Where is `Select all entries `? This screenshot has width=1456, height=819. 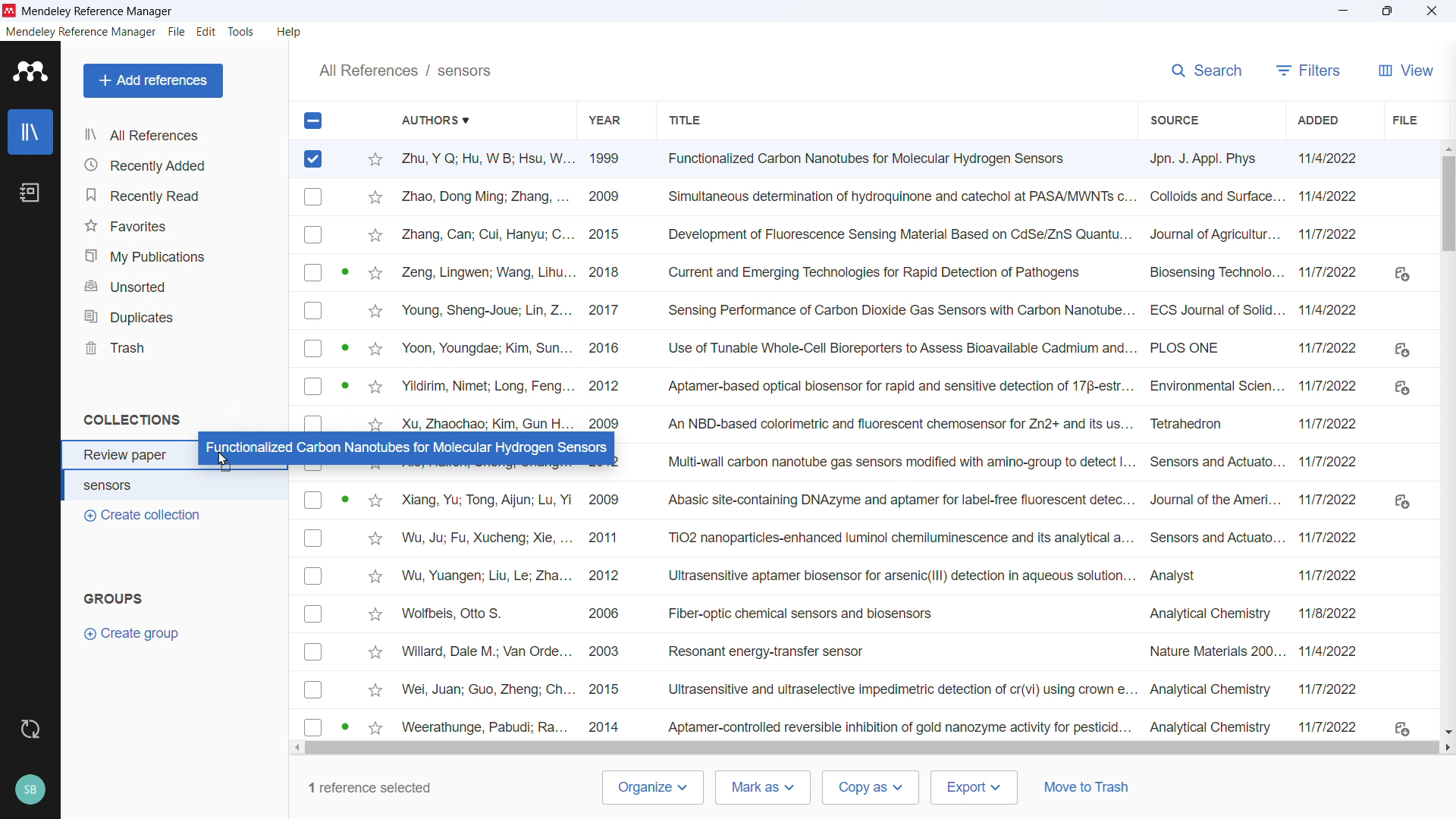 Select all entries  is located at coordinates (312, 120).